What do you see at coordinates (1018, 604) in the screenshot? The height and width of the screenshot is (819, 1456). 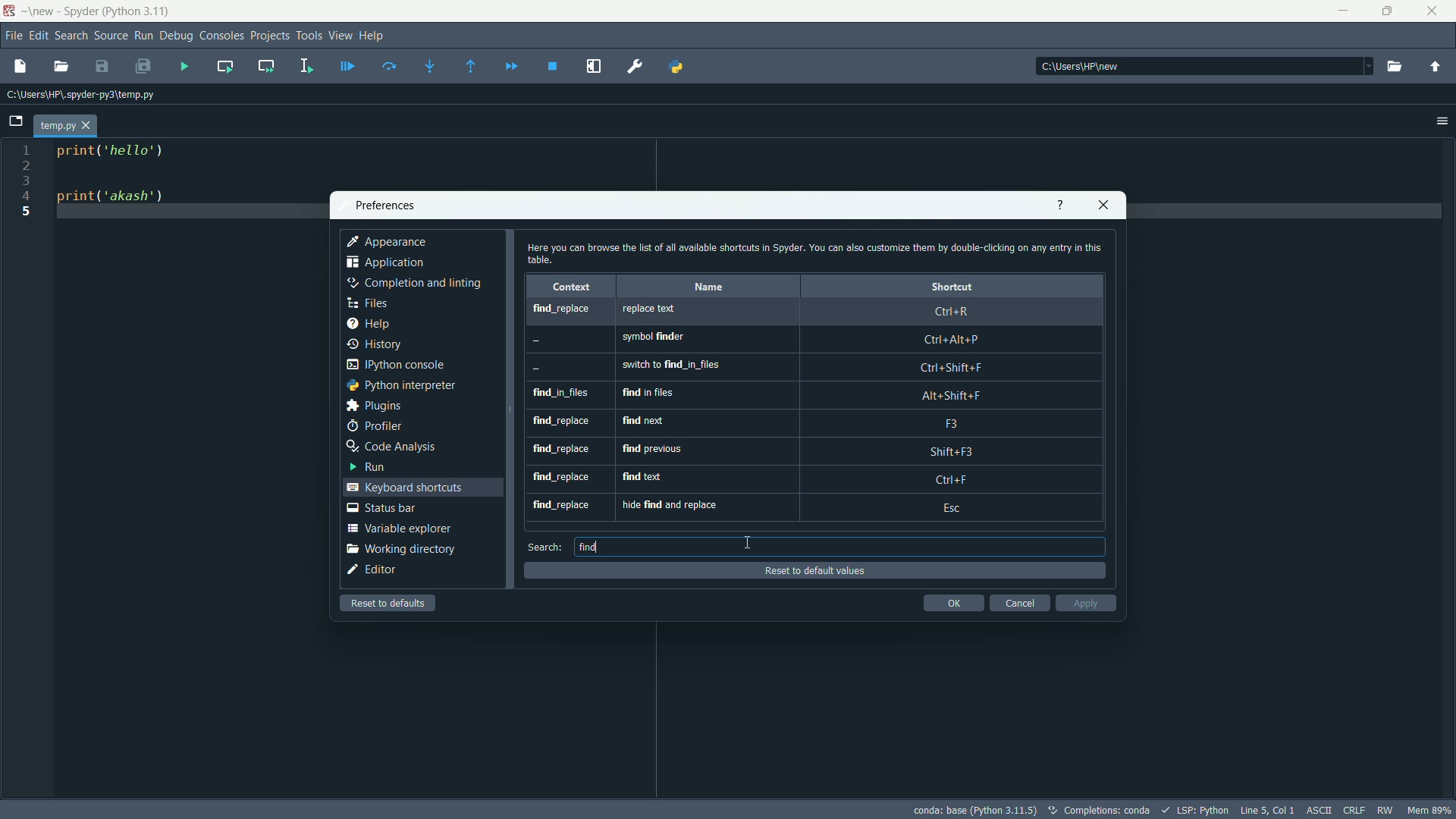 I see `cancel` at bounding box center [1018, 604].